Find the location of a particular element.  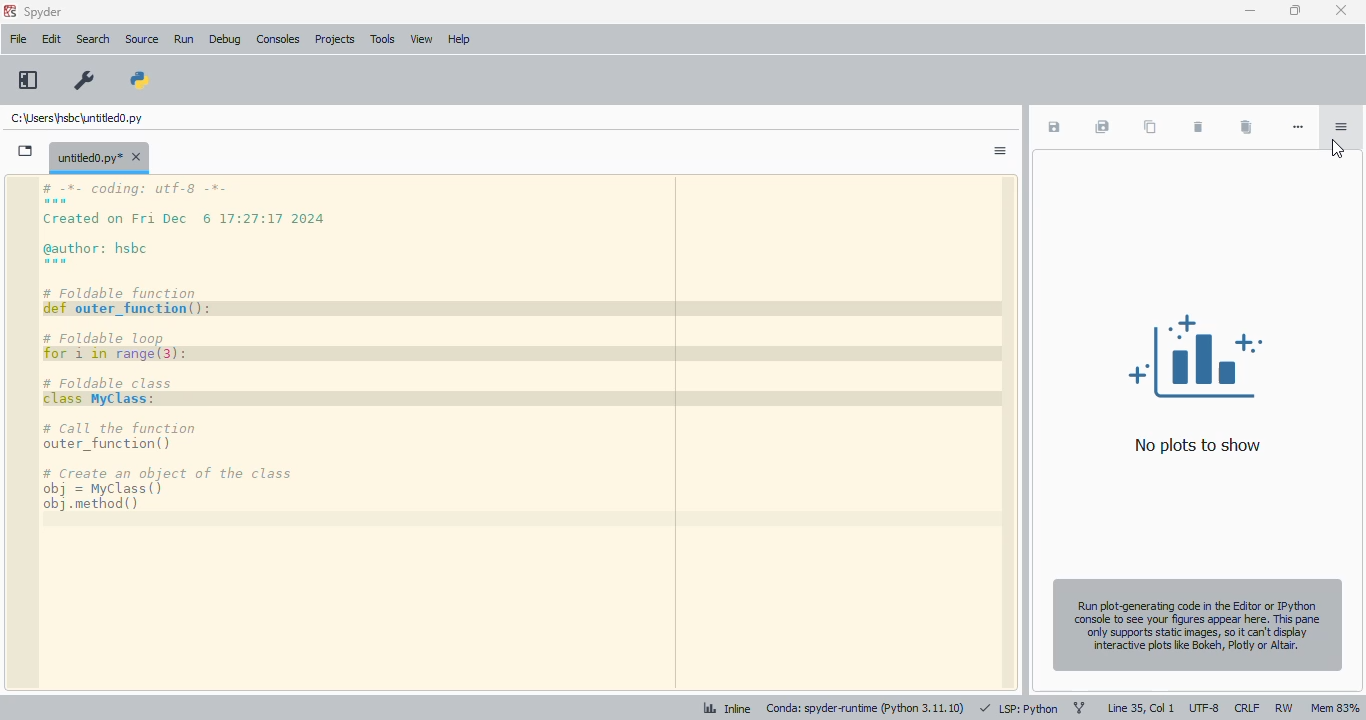

inline is located at coordinates (726, 707).